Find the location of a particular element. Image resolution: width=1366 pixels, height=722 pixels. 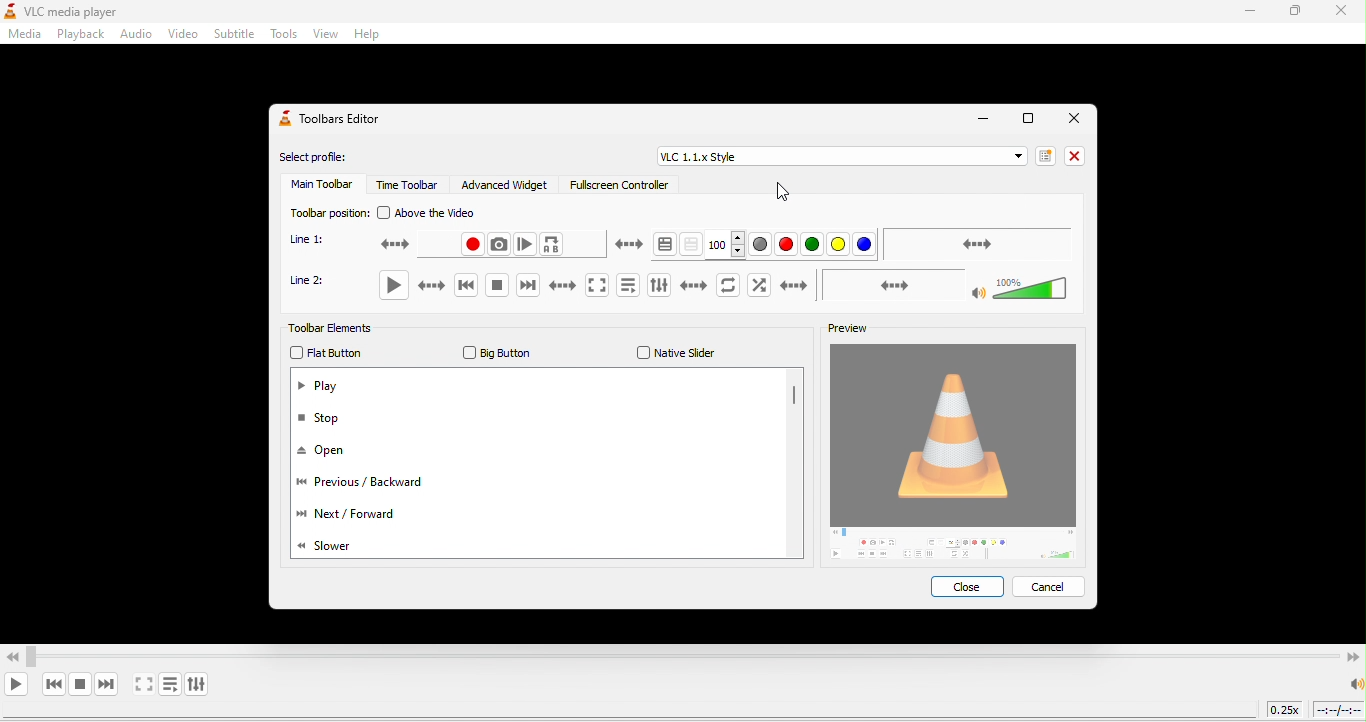

audio is located at coordinates (135, 36).